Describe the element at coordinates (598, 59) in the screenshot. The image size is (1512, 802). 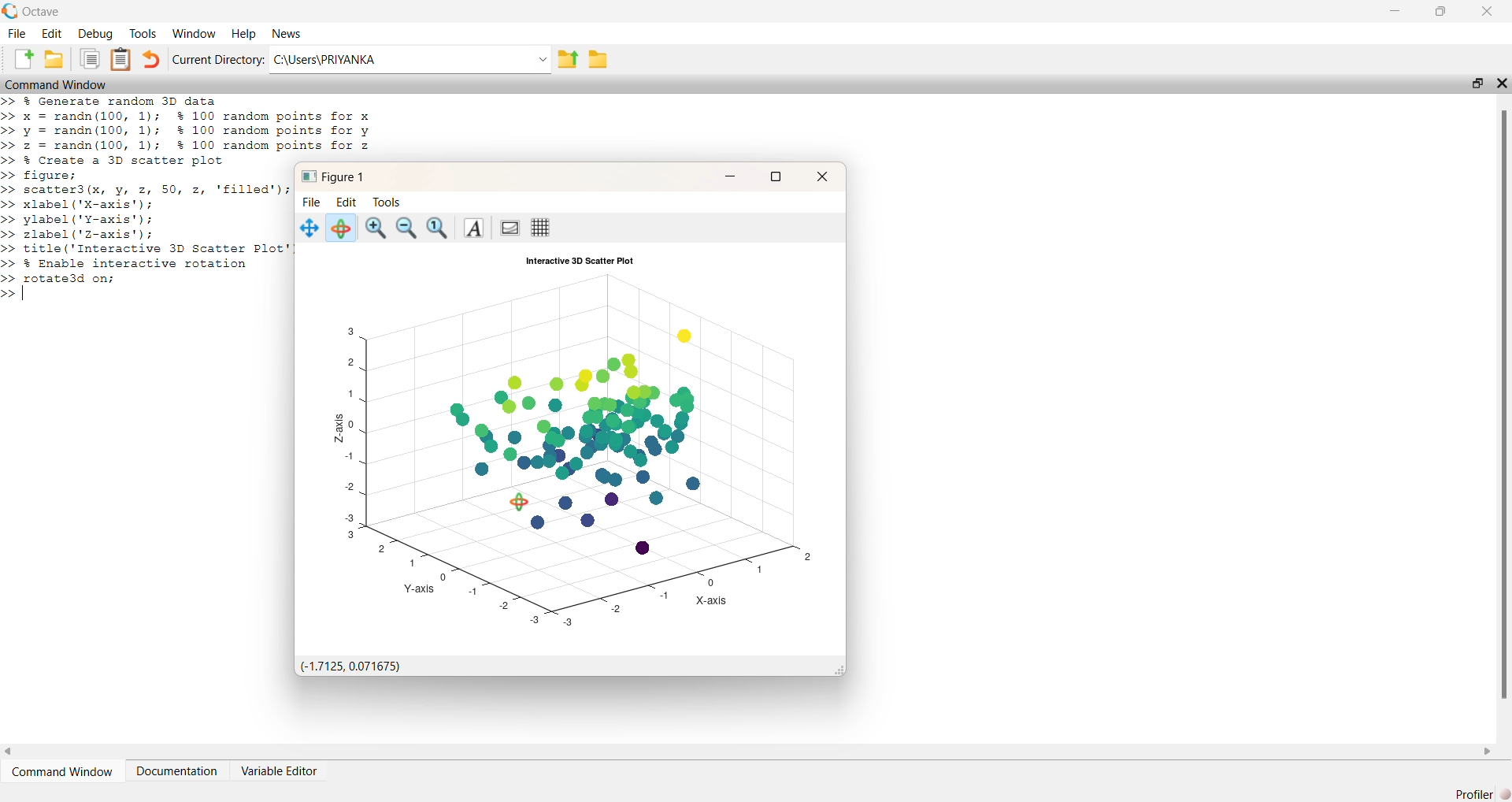
I see `folder` at that location.